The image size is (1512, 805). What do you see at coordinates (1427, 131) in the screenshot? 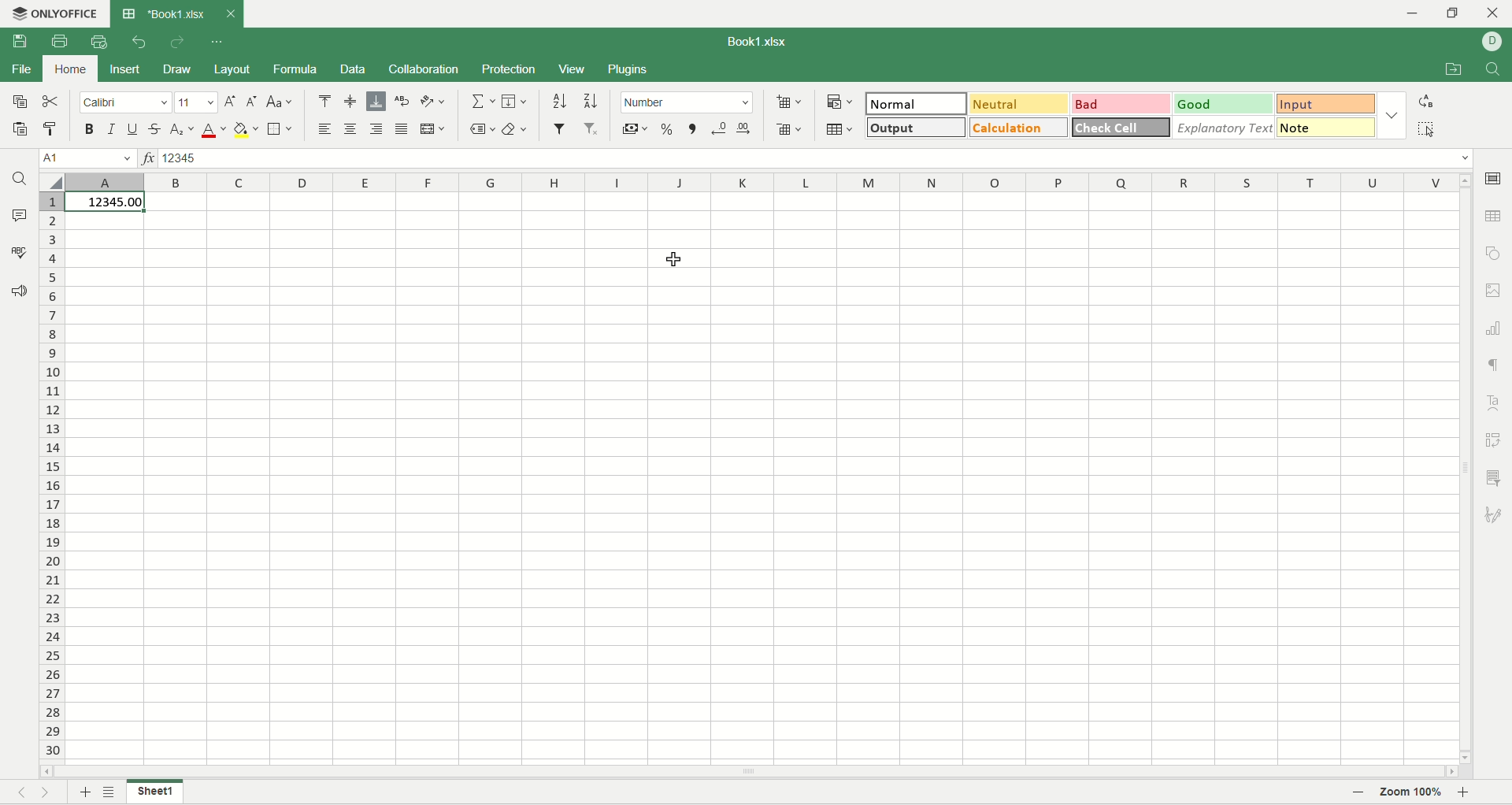
I see `select all` at bounding box center [1427, 131].